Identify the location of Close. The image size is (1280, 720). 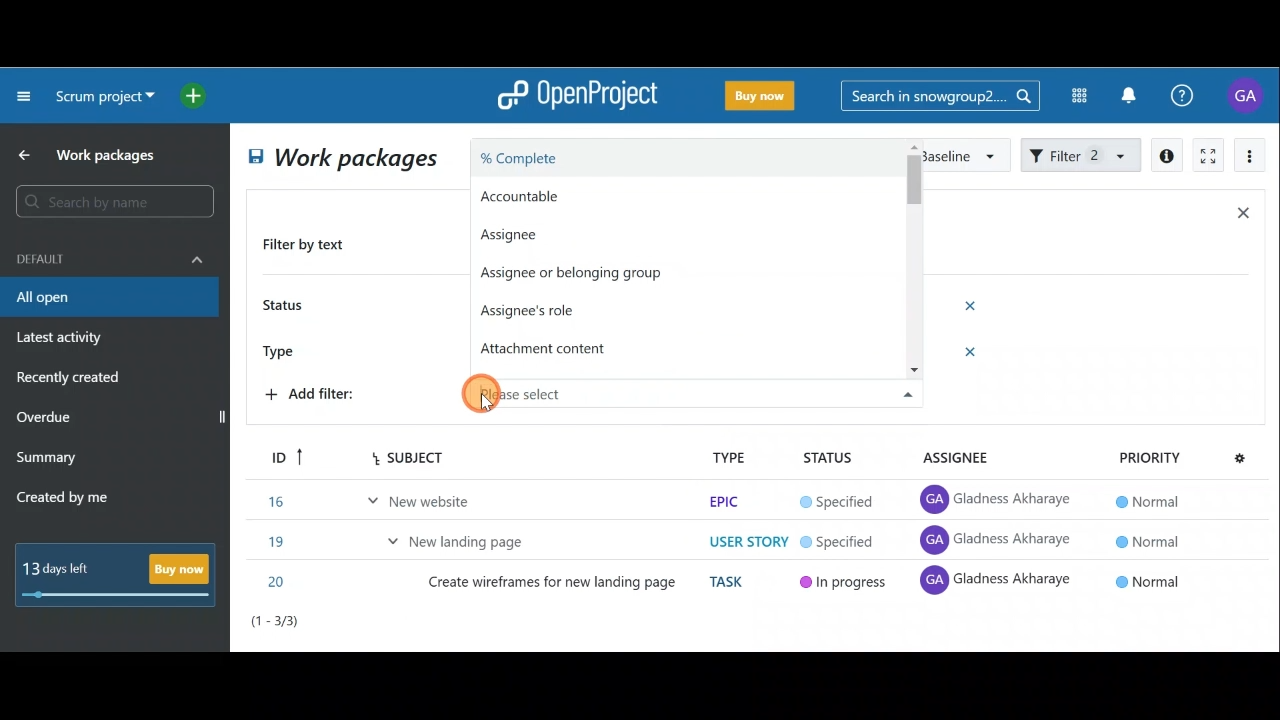
(1242, 217).